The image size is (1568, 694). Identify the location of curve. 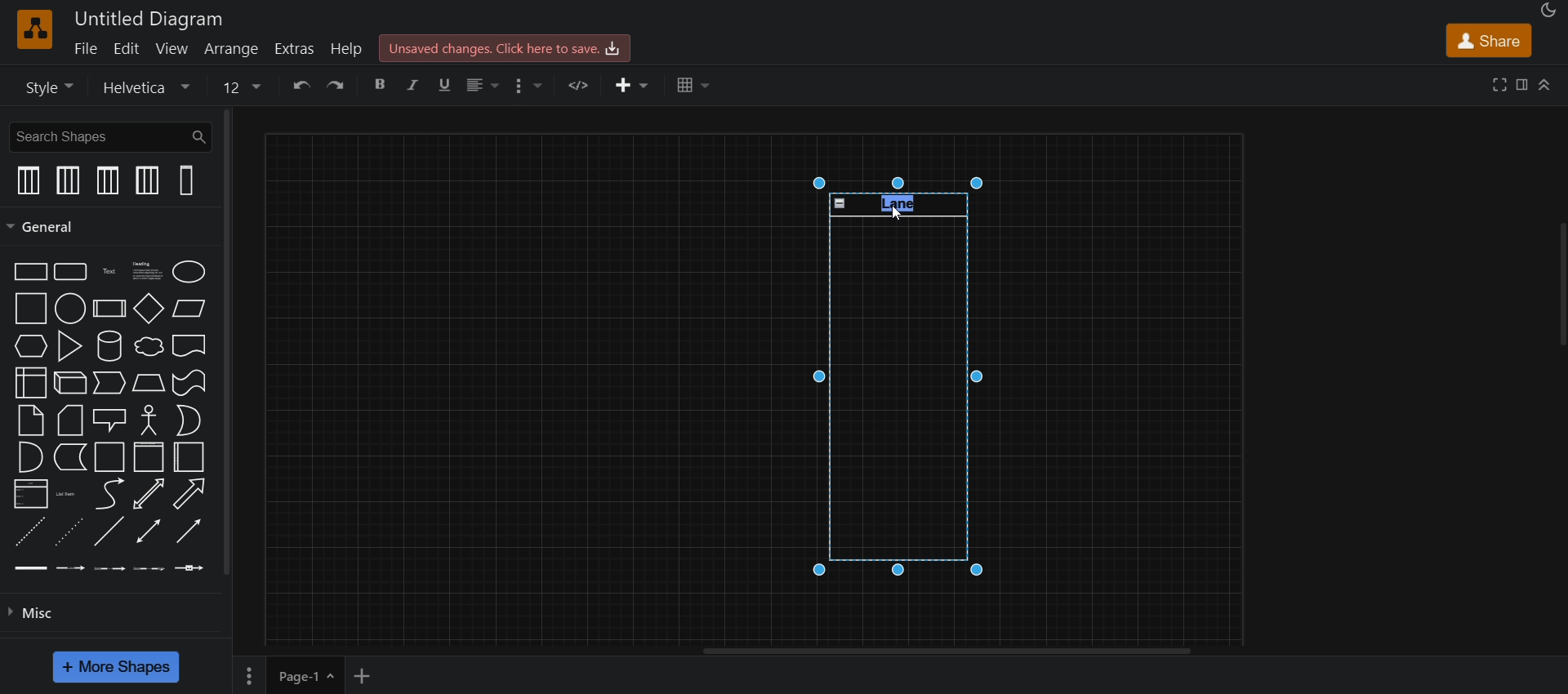
(110, 496).